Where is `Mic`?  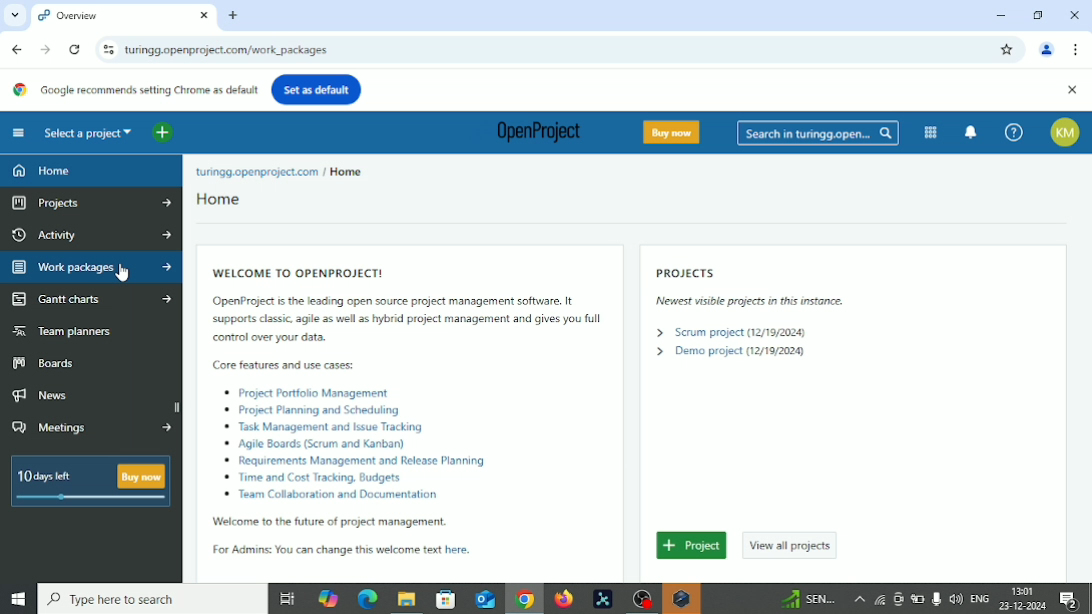
Mic is located at coordinates (936, 598).